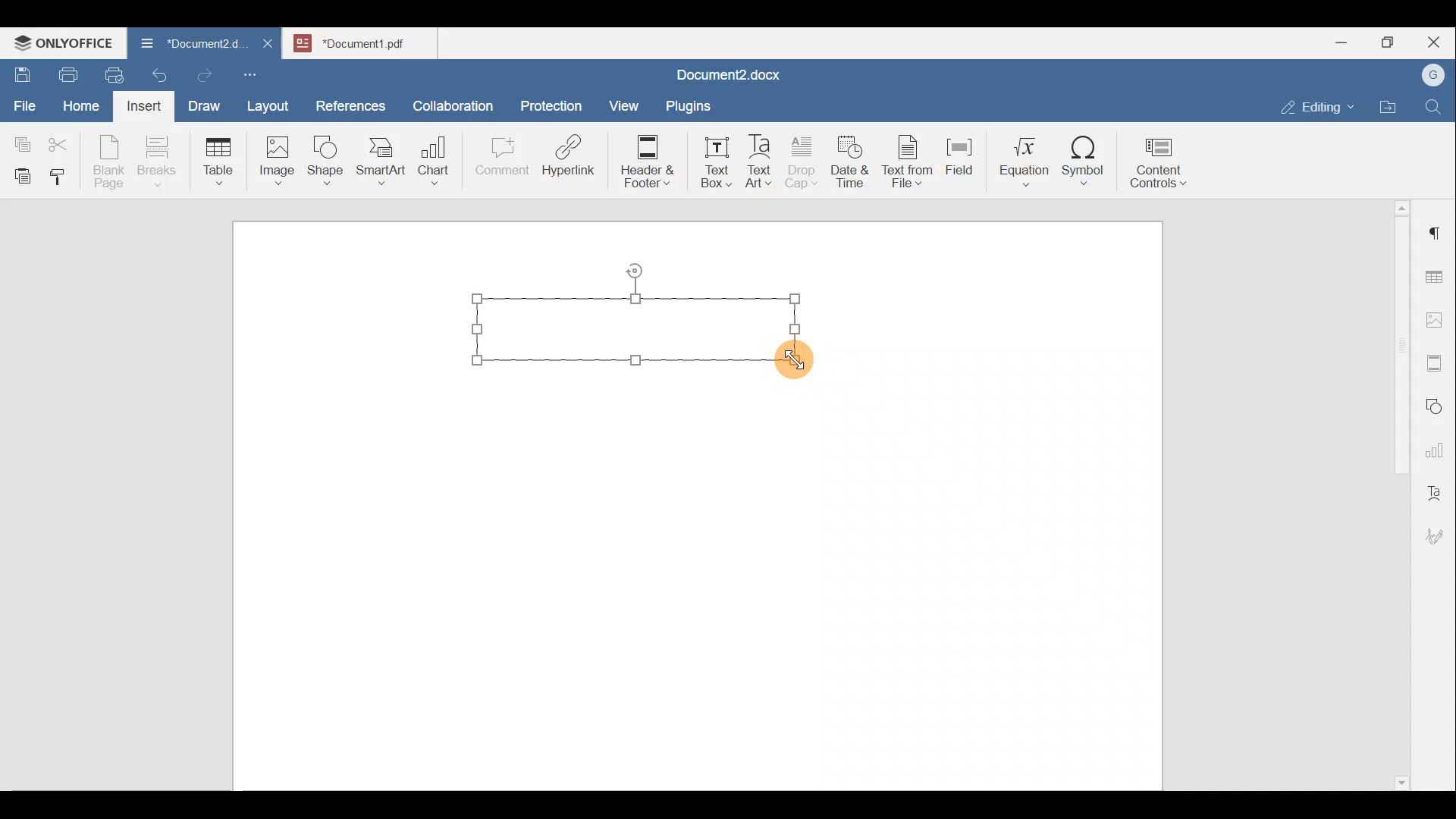 The image size is (1456, 819). Describe the element at coordinates (19, 172) in the screenshot. I see `Paste` at that location.